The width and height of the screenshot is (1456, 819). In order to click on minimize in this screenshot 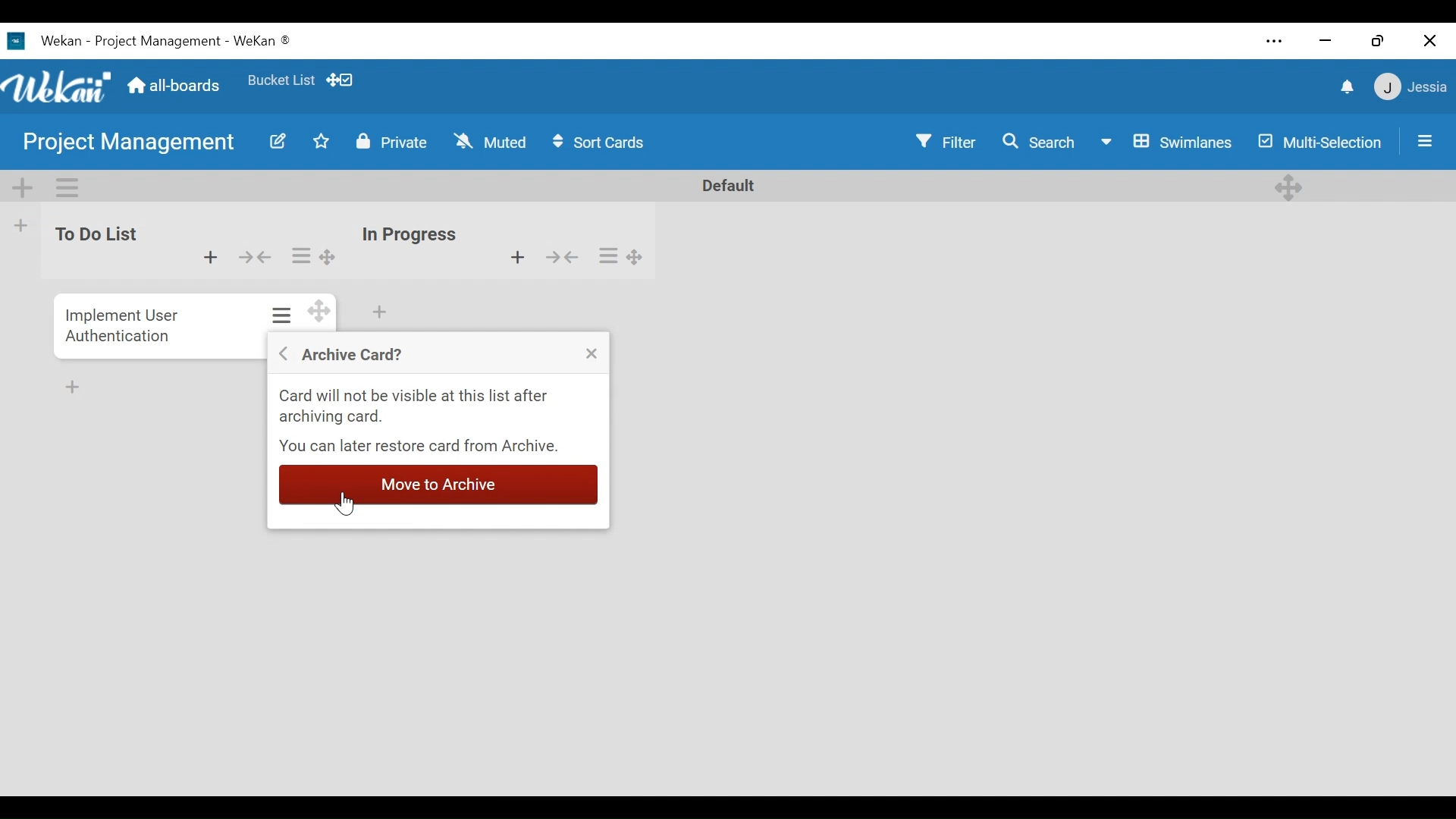, I will do `click(1325, 42)`.